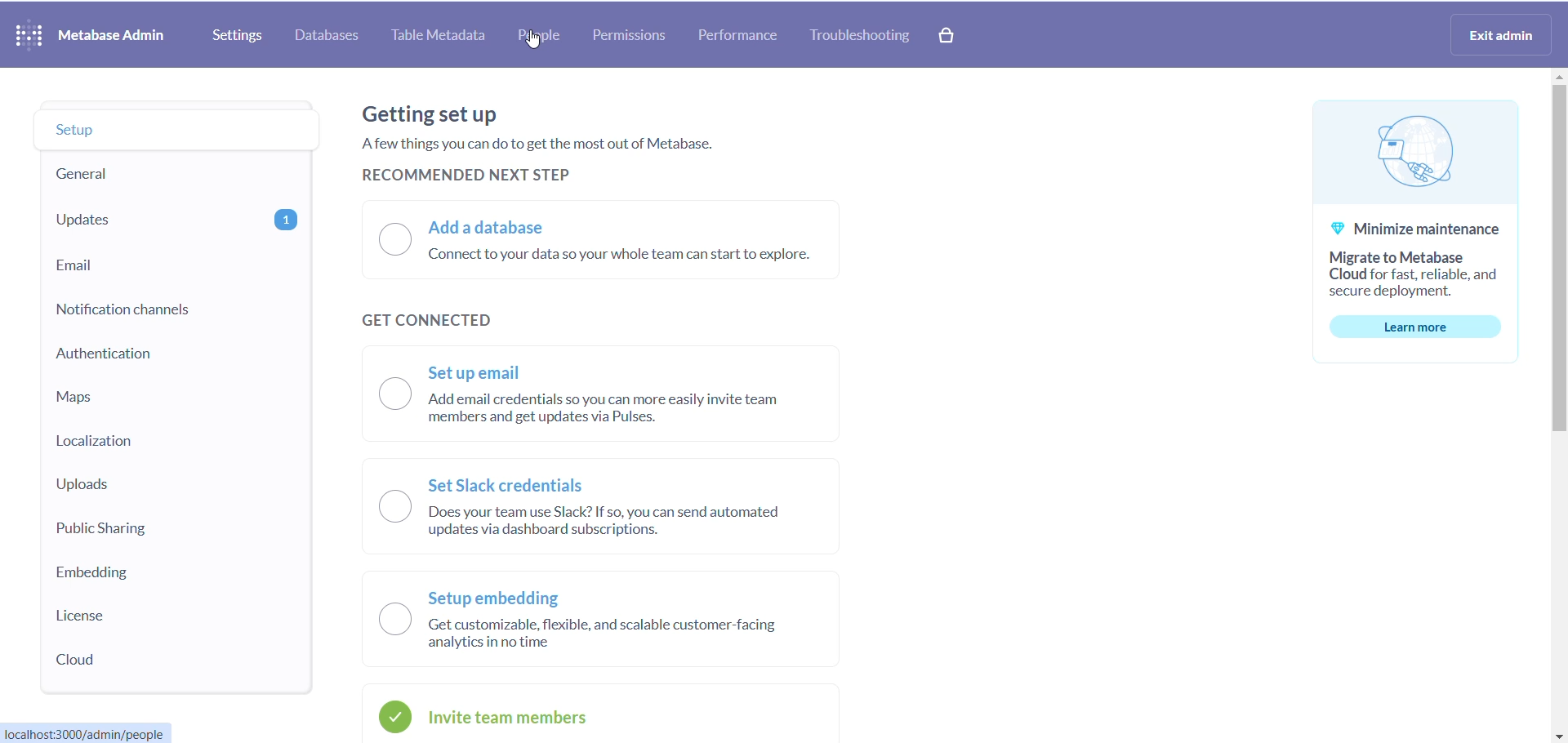 This screenshot has width=1568, height=743. I want to click on cursor, so click(1558, 266).